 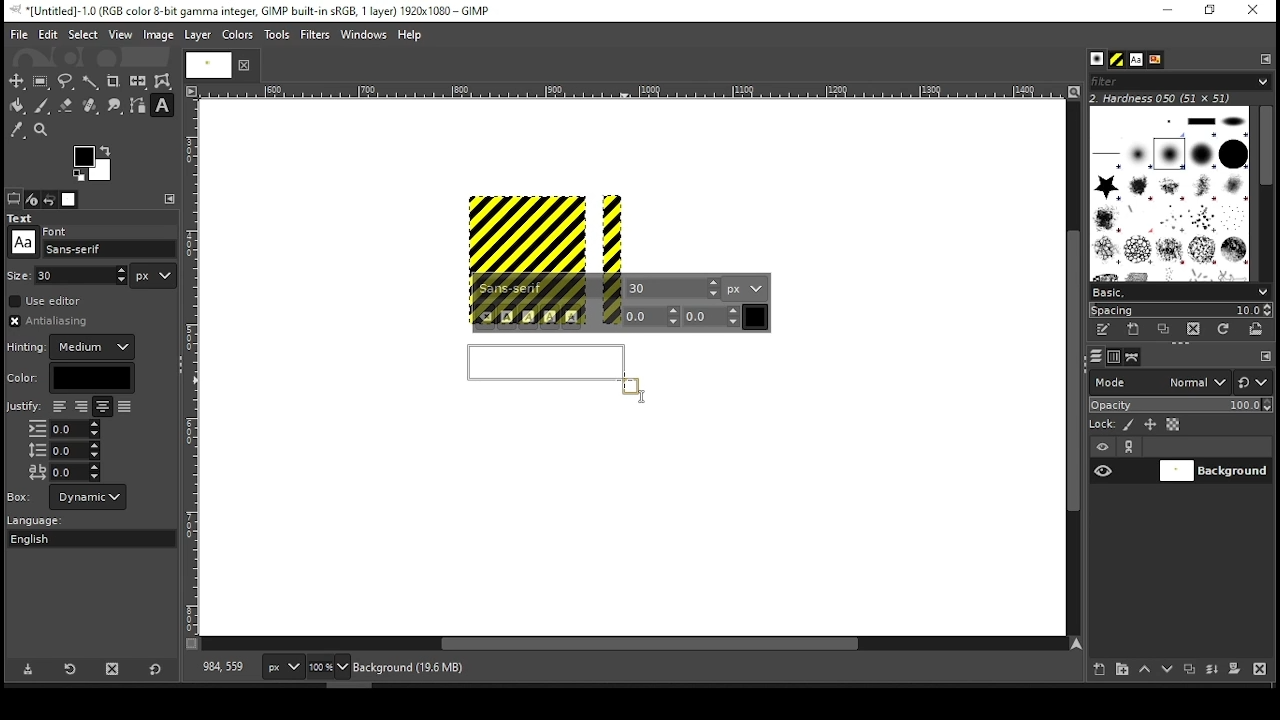 I want to click on px, so click(x=282, y=669).